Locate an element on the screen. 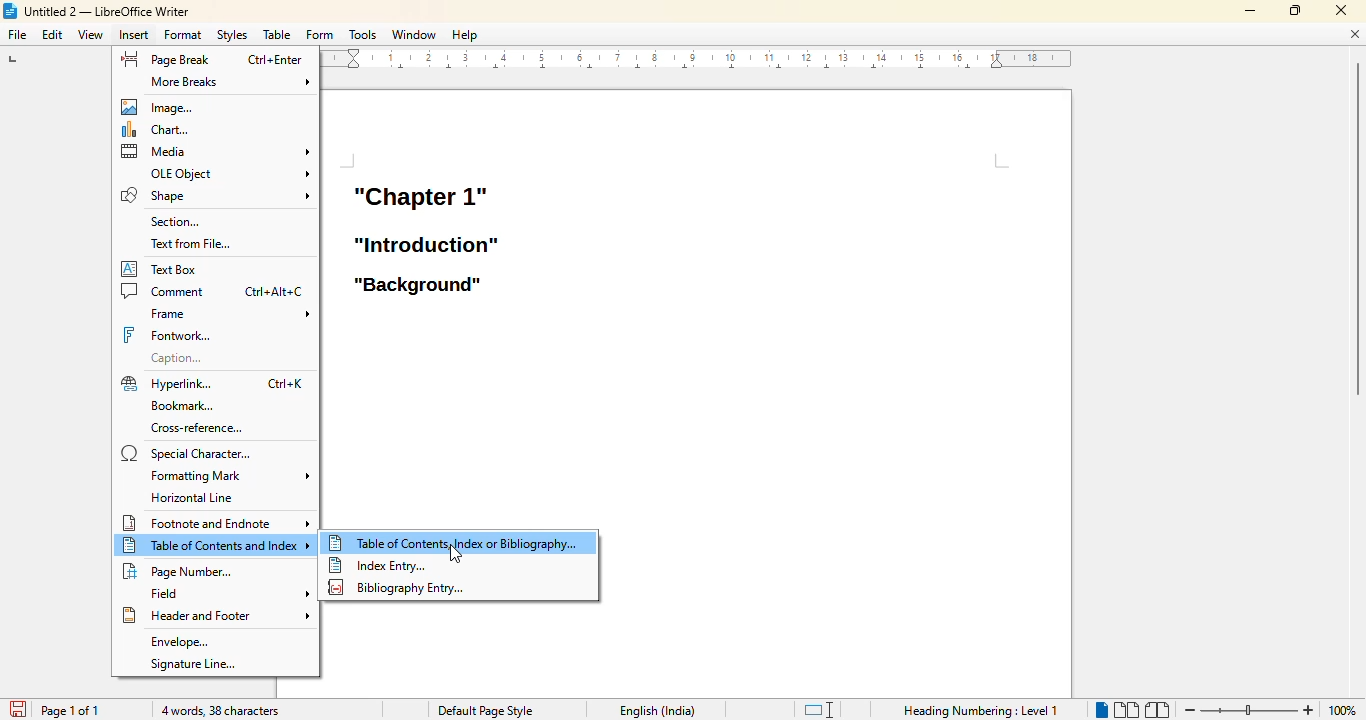 The image size is (1366, 720). tools is located at coordinates (362, 34).